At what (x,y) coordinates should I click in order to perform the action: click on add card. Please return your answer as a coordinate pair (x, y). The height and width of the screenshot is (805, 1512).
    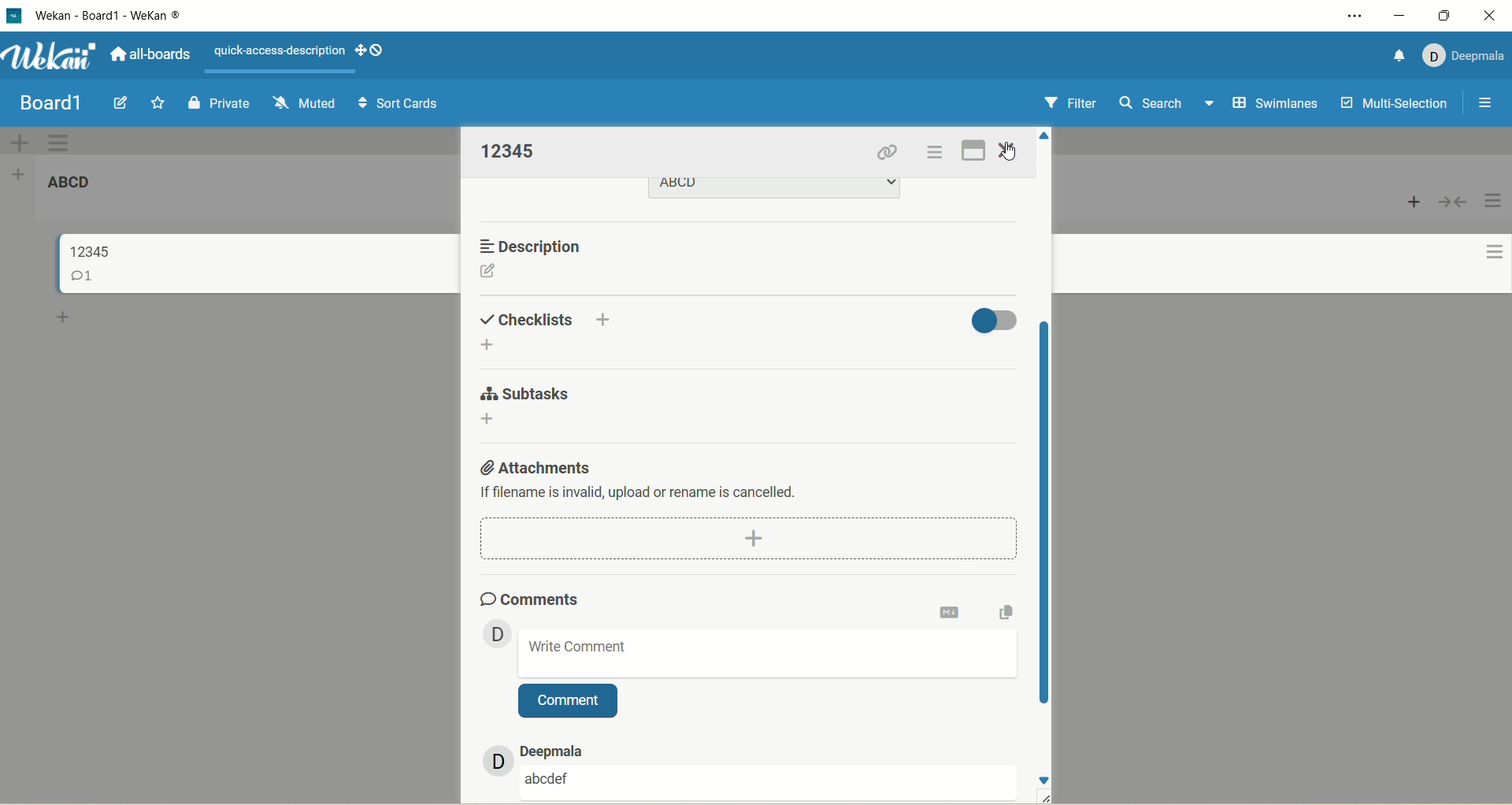
    Looking at the image, I should click on (64, 318).